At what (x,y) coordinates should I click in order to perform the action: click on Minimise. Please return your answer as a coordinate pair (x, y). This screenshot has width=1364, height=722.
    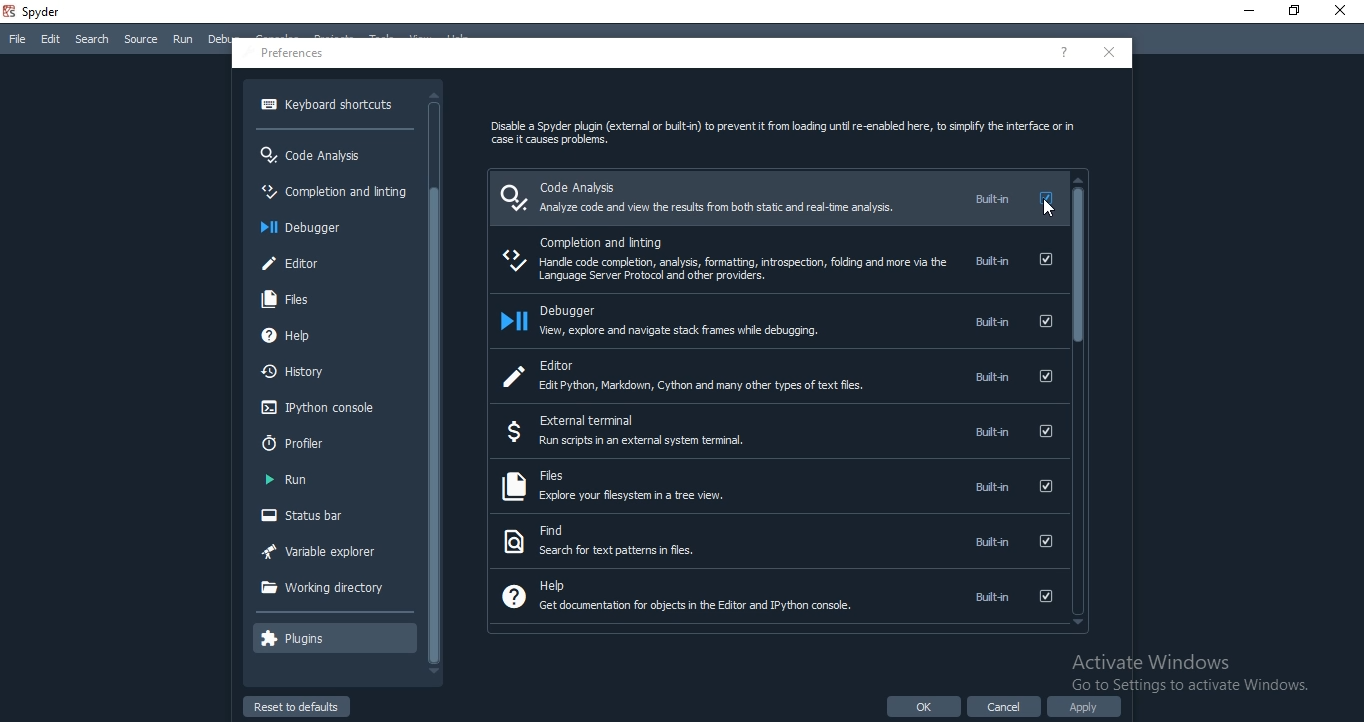
    Looking at the image, I should click on (1244, 11).